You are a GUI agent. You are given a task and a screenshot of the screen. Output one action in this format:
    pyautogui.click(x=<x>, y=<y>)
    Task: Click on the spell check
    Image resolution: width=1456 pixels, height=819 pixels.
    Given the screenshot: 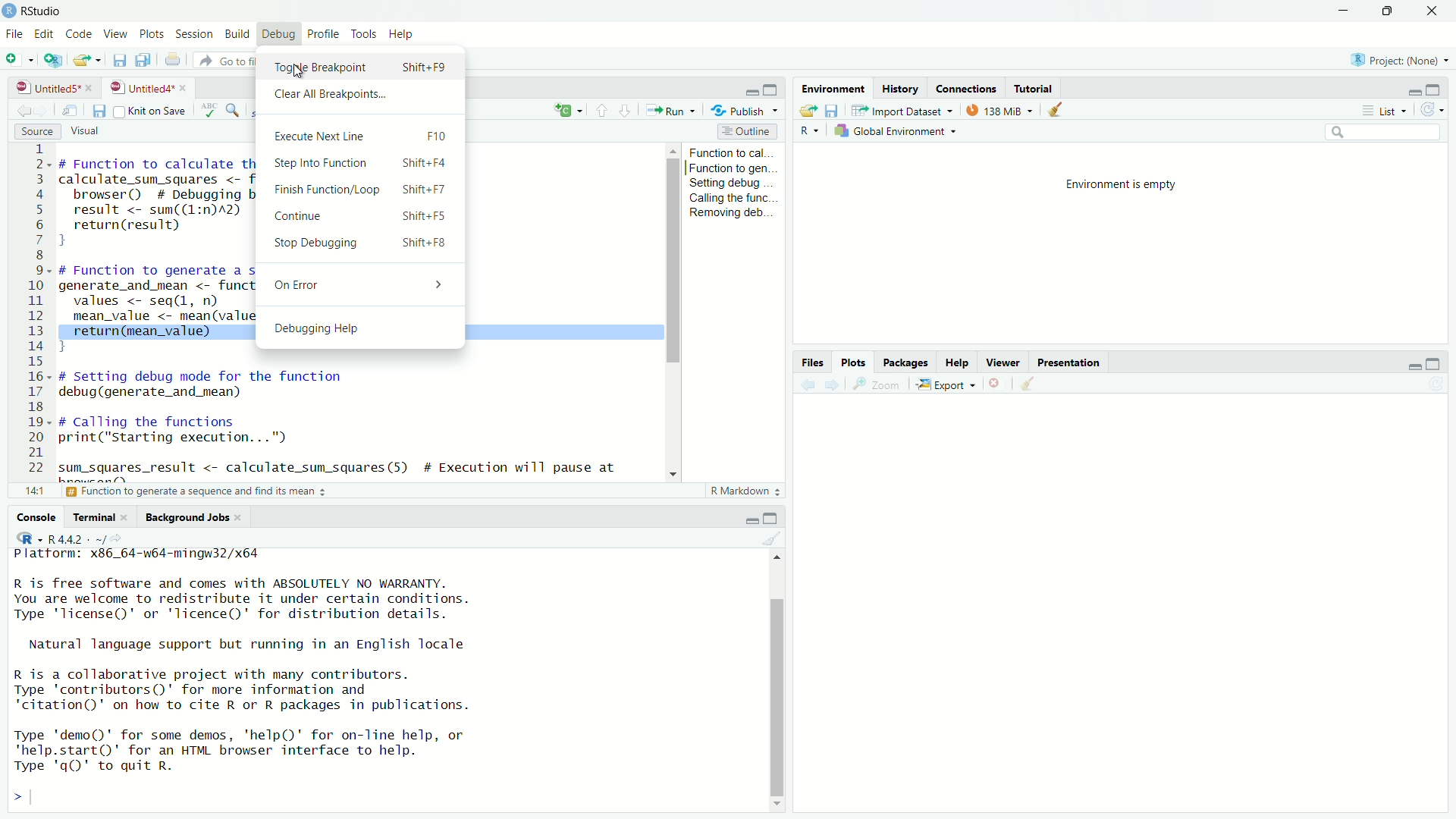 What is the action you would take?
    pyautogui.click(x=206, y=111)
    